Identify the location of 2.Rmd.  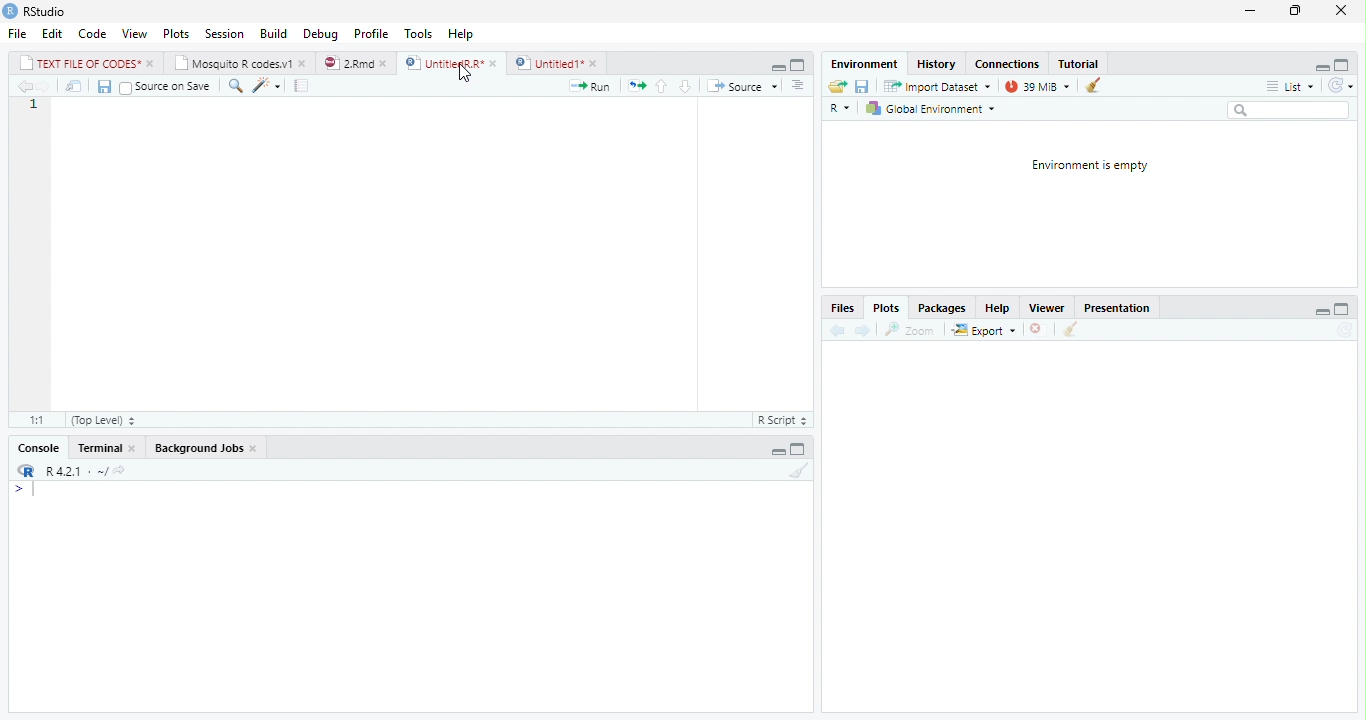
(356, 63).